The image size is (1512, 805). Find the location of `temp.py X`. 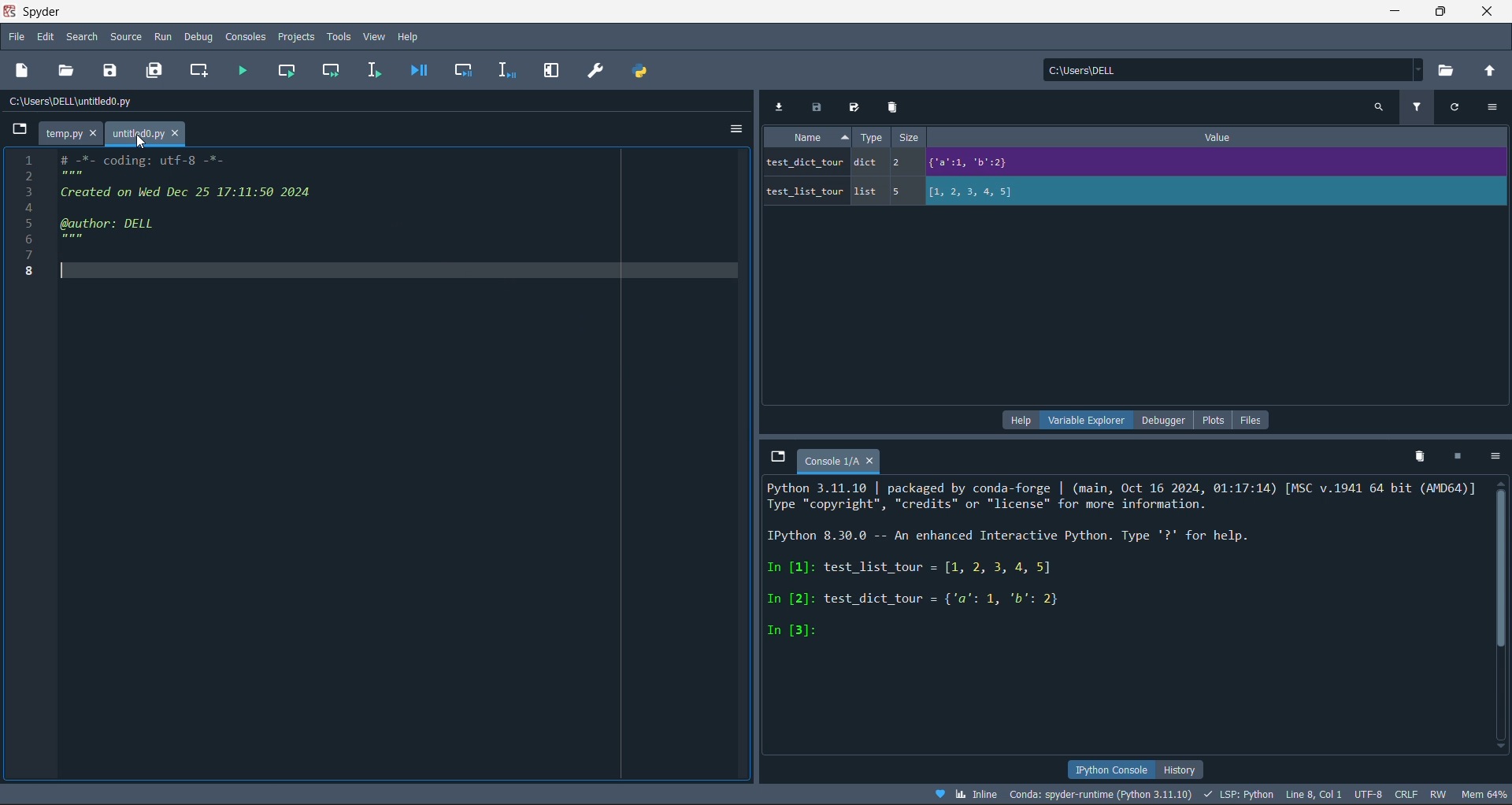

temp.py X is located at coordinates (69, 131).